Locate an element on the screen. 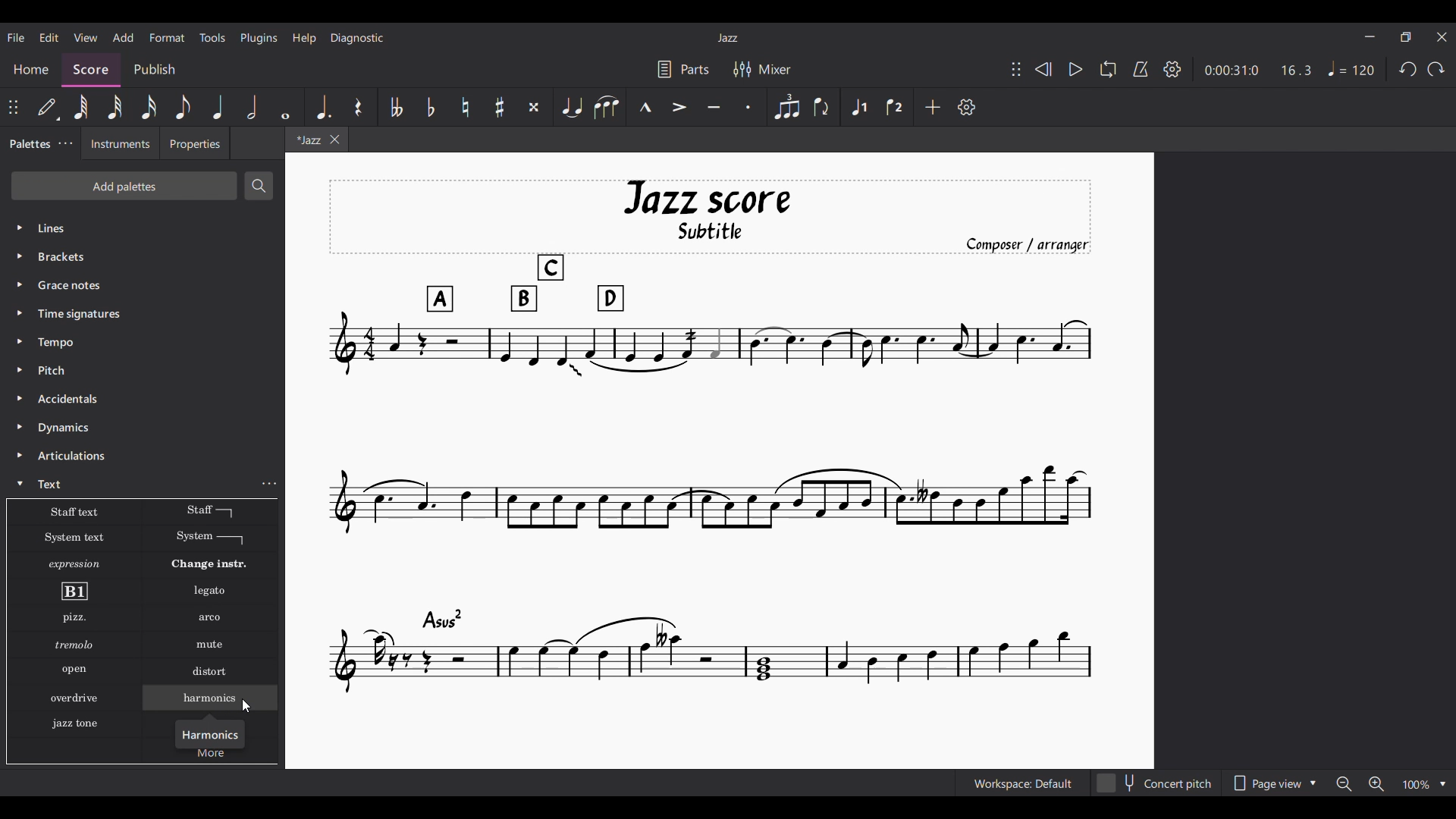 This screenshot has height=819, width=1456. Tools menu is located at coordinates (213, 38).